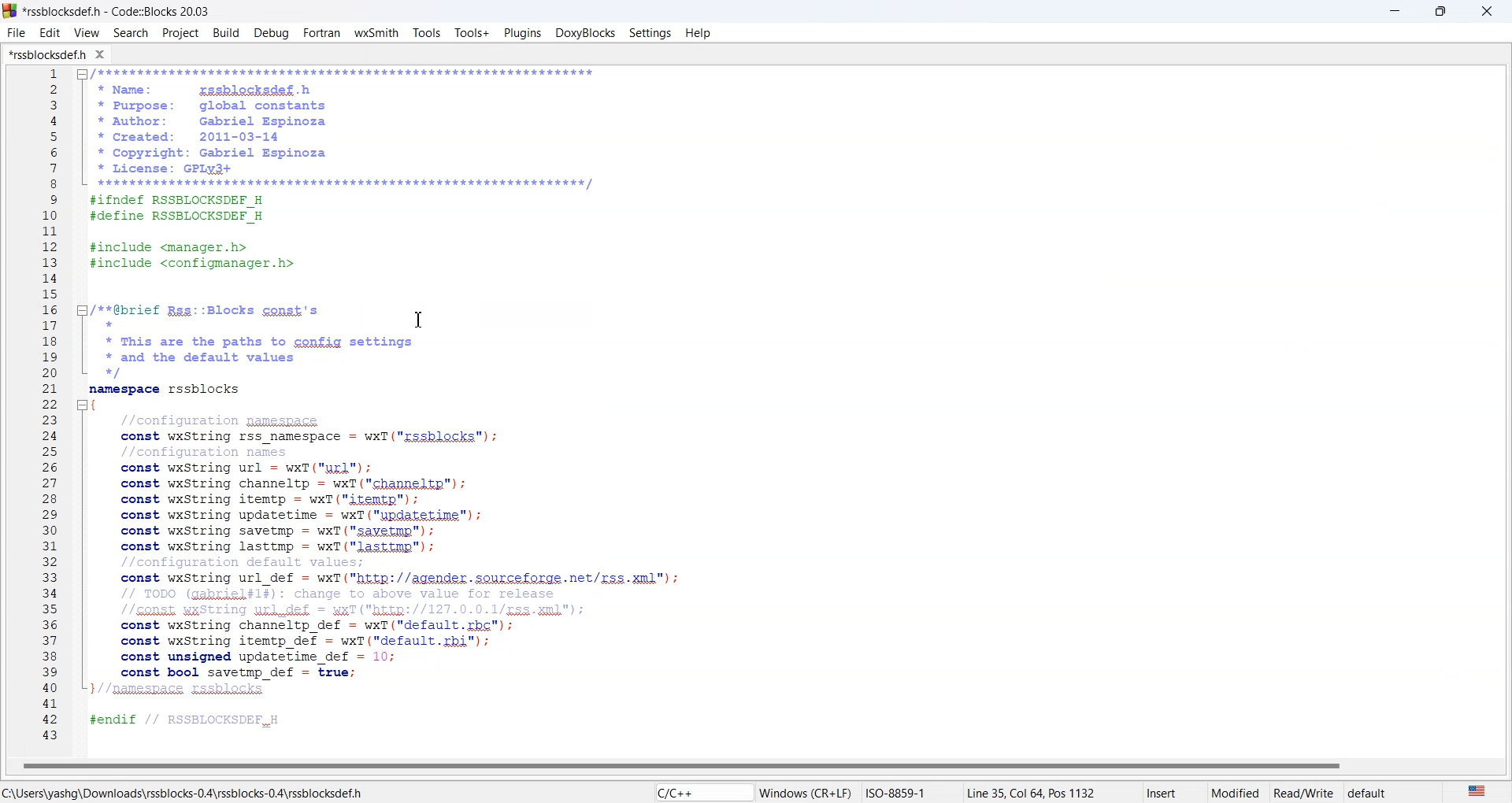 The image size is (1512, 803). What do you see at coordinates (427, 35) in the screenshot?
I see `tools` at bounding box center [427, 35].